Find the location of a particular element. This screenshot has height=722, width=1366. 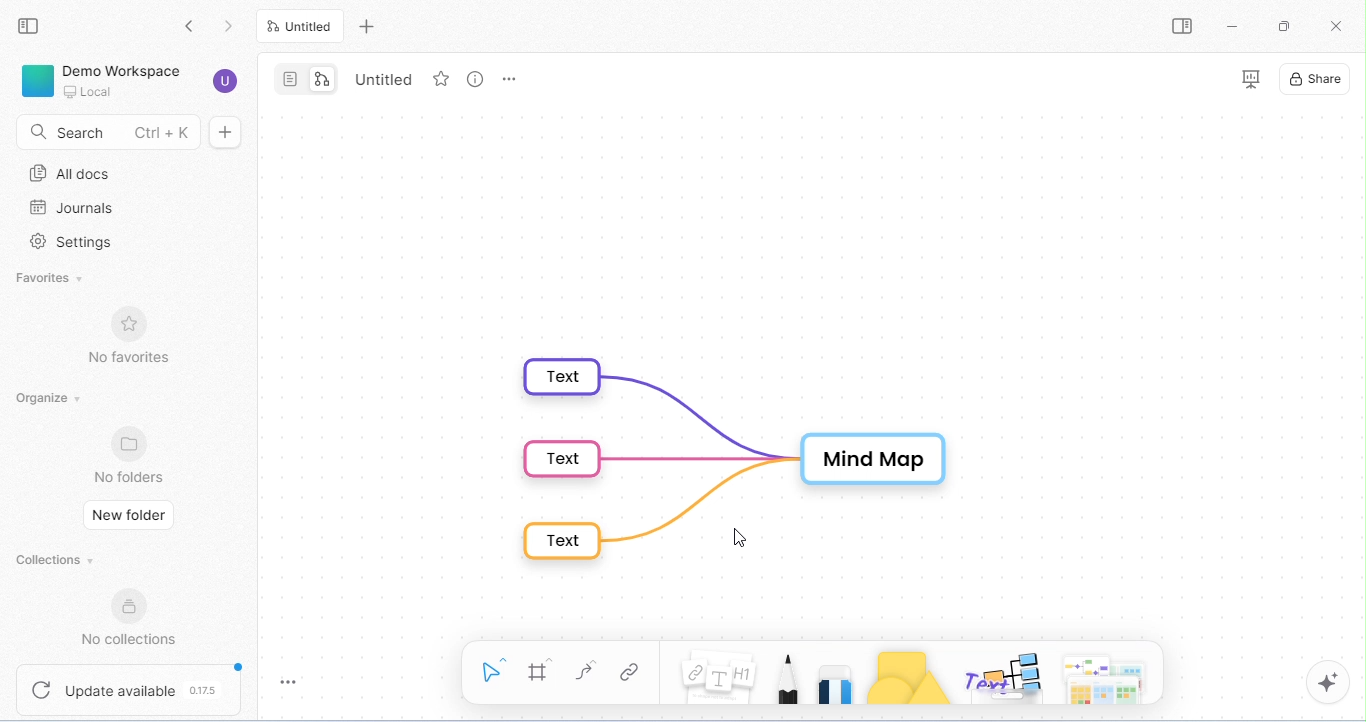

note is located at coordinates (716, 672).